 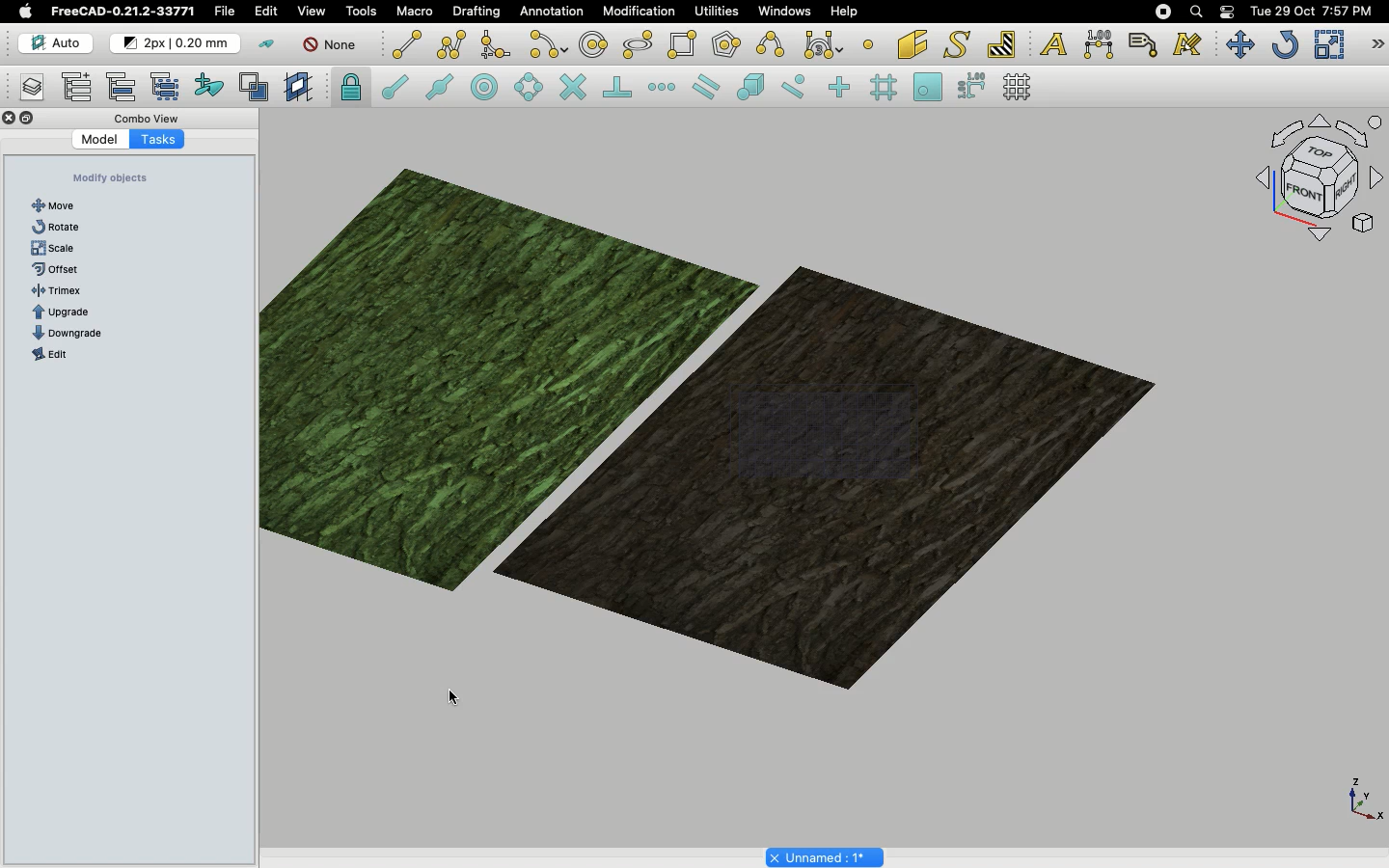 I want to click on Dimension, so click(x=1101, y=44).